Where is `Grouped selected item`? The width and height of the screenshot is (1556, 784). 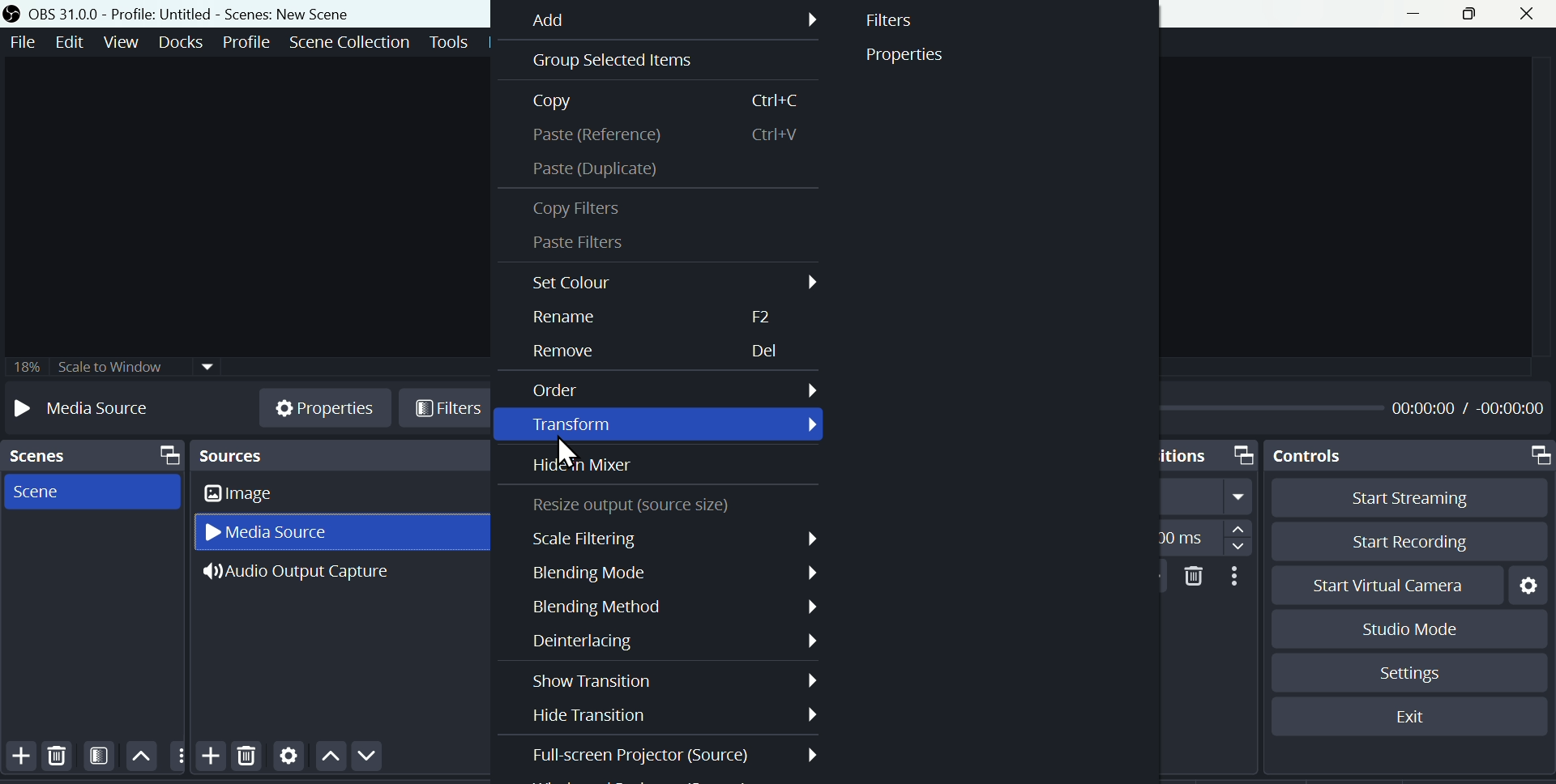 Grouped selected item is located at coordinates (662, 62).